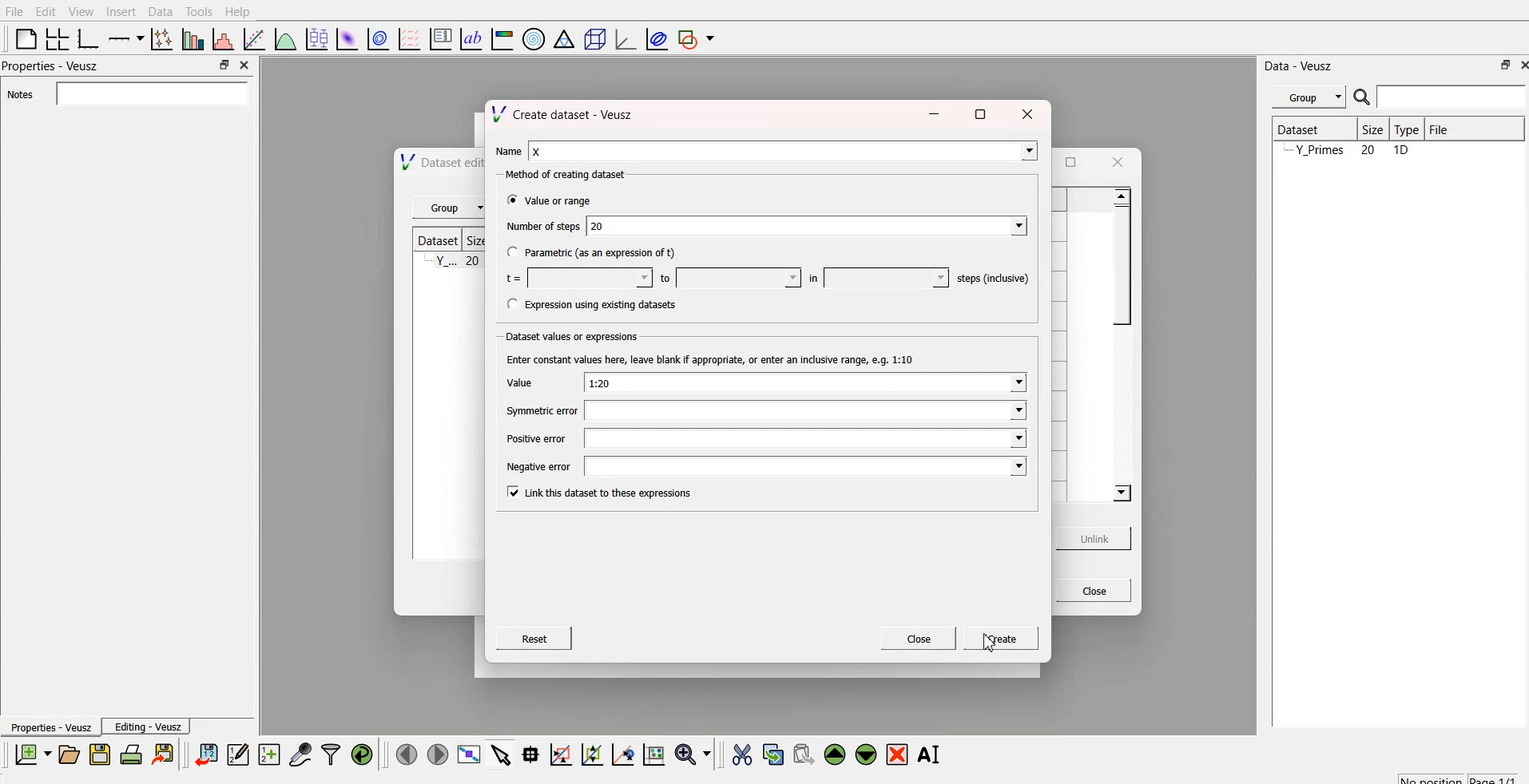 This screenshot has width=1529, height=784. Describe the element at coordinates (1499, 65) in the screenshot. I see `maximize` at that location.